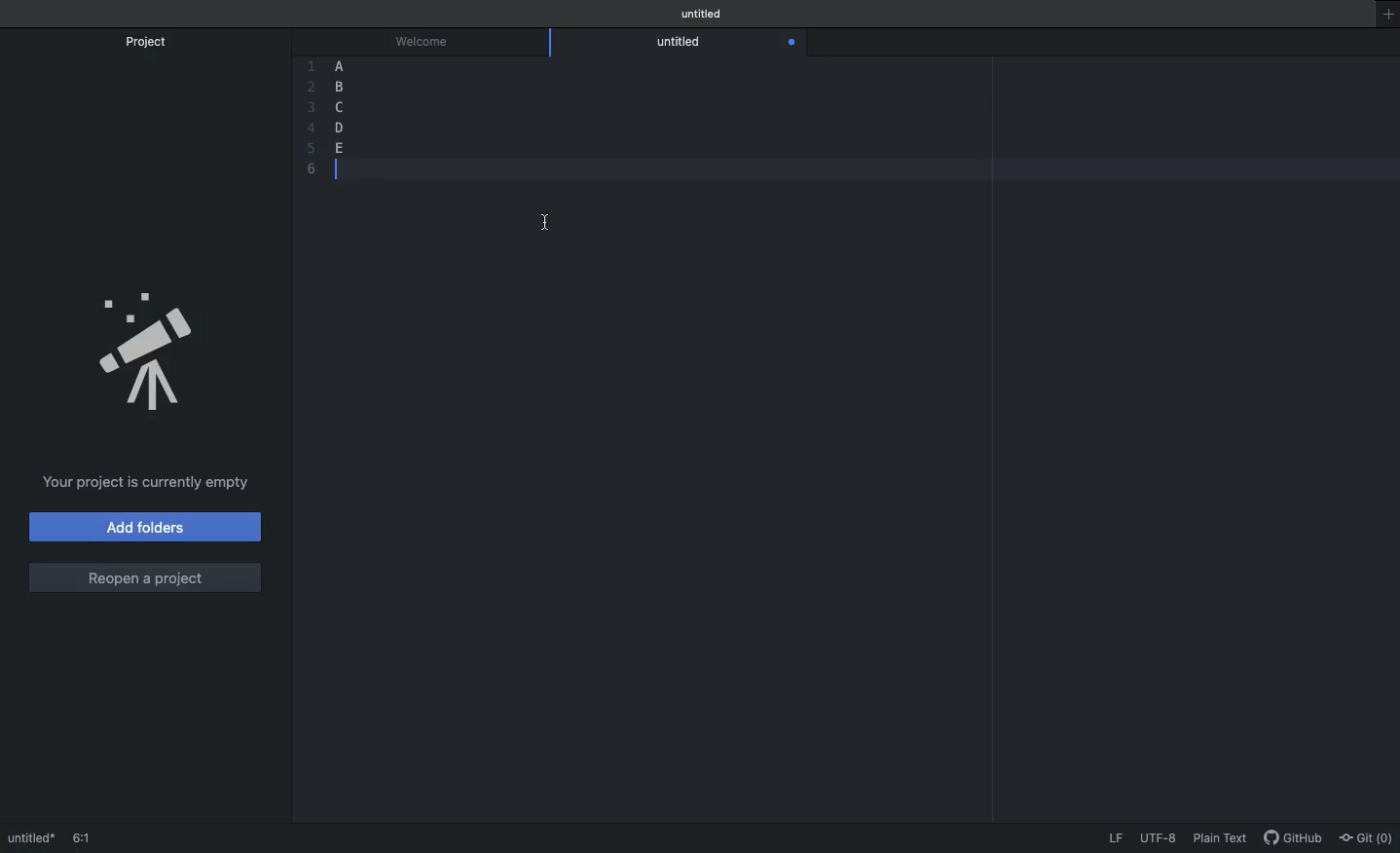 The width and height of the screenshot is (1400, 853). What do you see at coordinates (146, 530) in the screenshot?
I see `Add folders |` at bounding box center [146, 530].